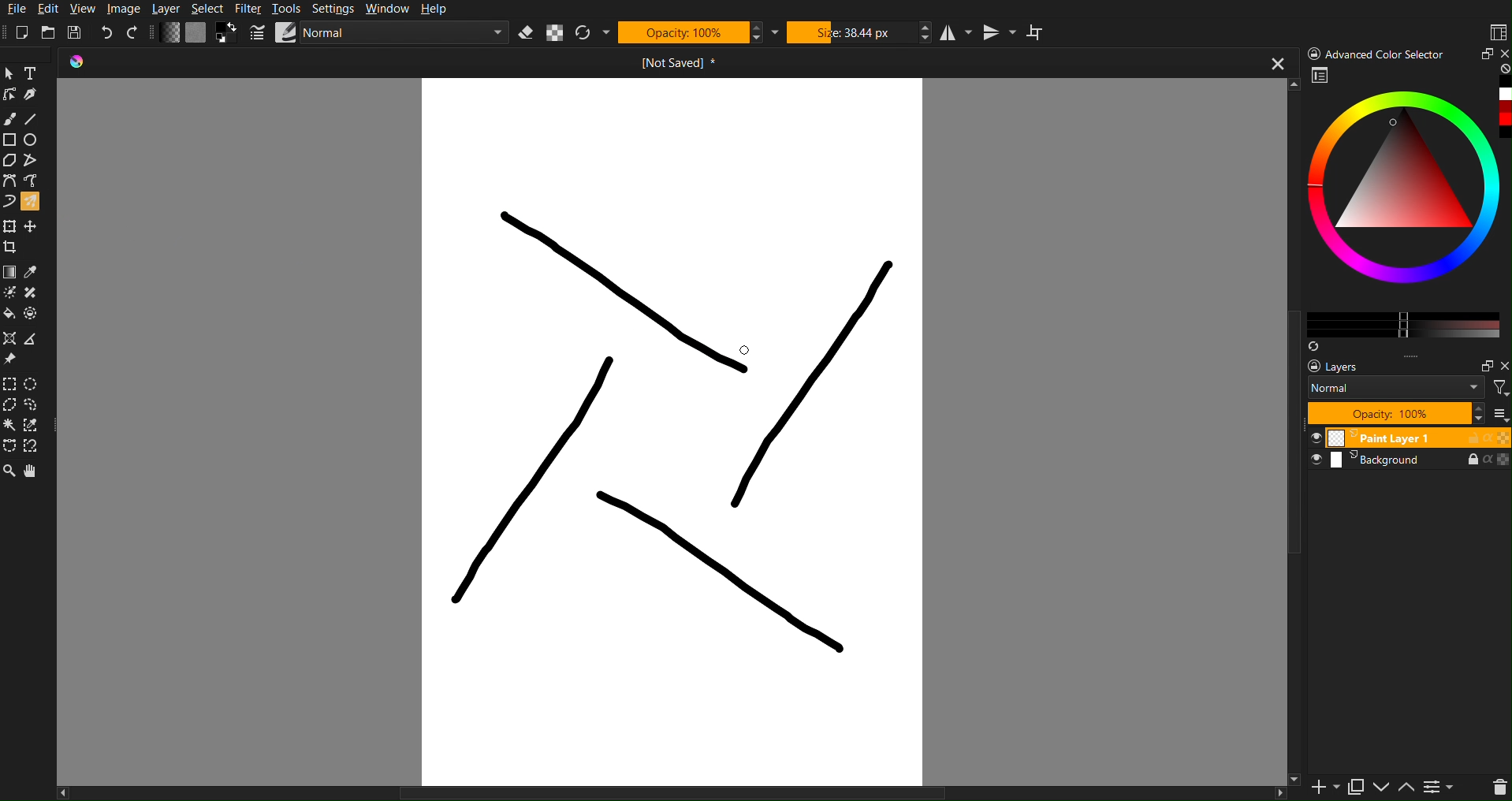  Describe the element at coordinates (50, 31) in the screenshot. I see `Open` at that location.